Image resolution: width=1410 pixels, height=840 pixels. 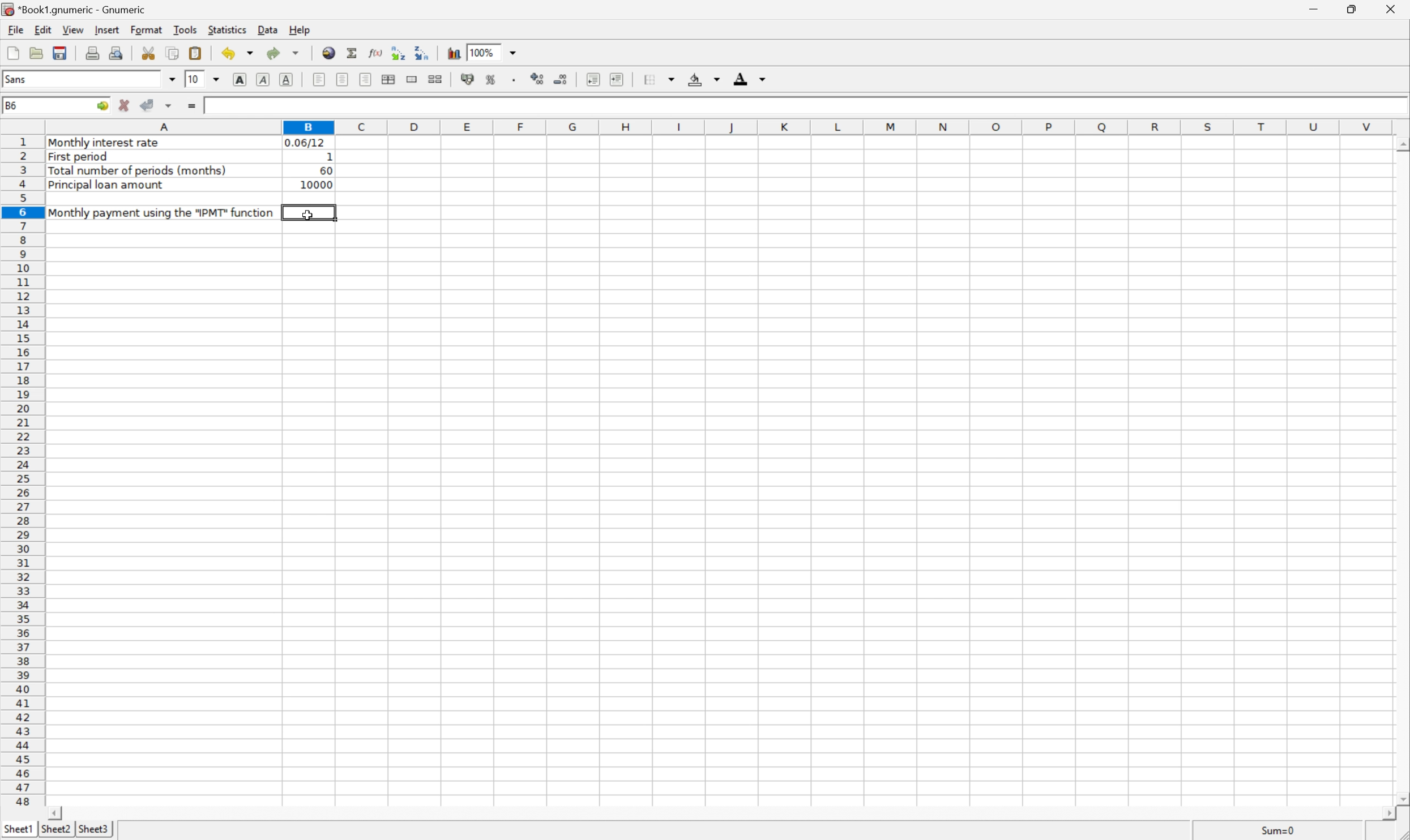 What do you see at coordinates (37, 53) in the screenshot?
I see `Open a file` at bounding box center [37, 53].